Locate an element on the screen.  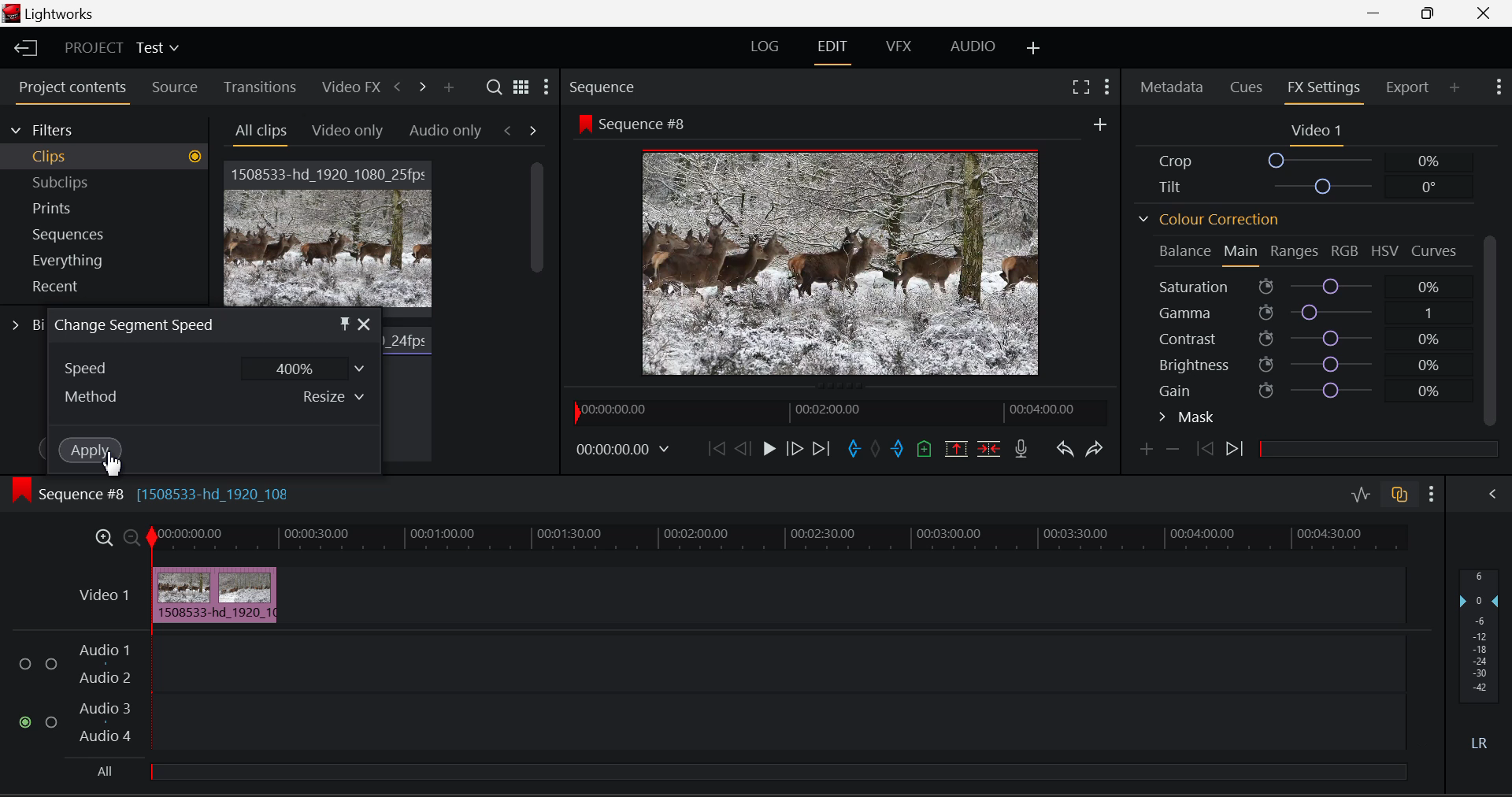
Tilt is located at coordinates (1299, 187).